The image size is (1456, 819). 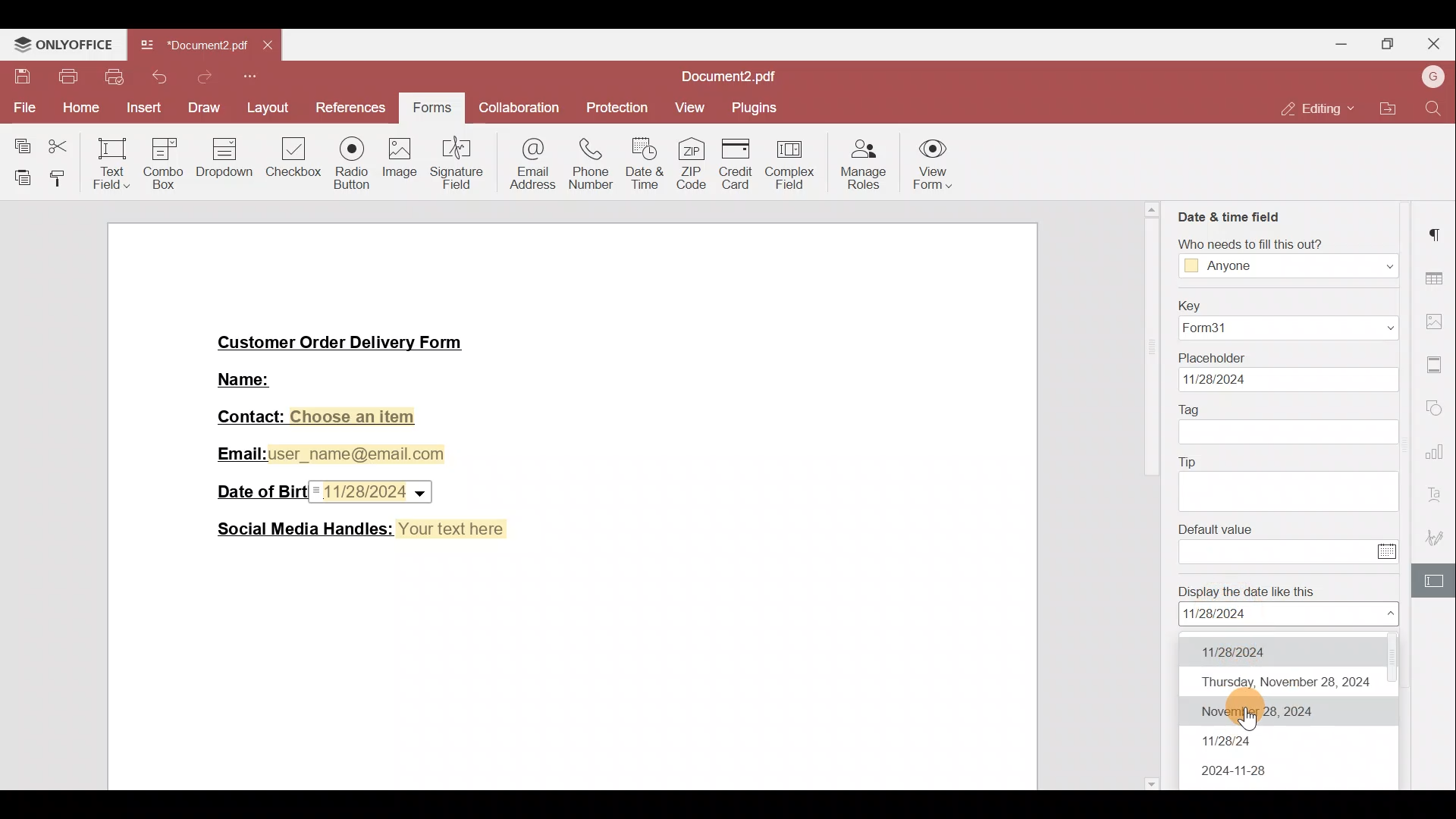 I want to click on enter value, so click(x=1276, y=551).